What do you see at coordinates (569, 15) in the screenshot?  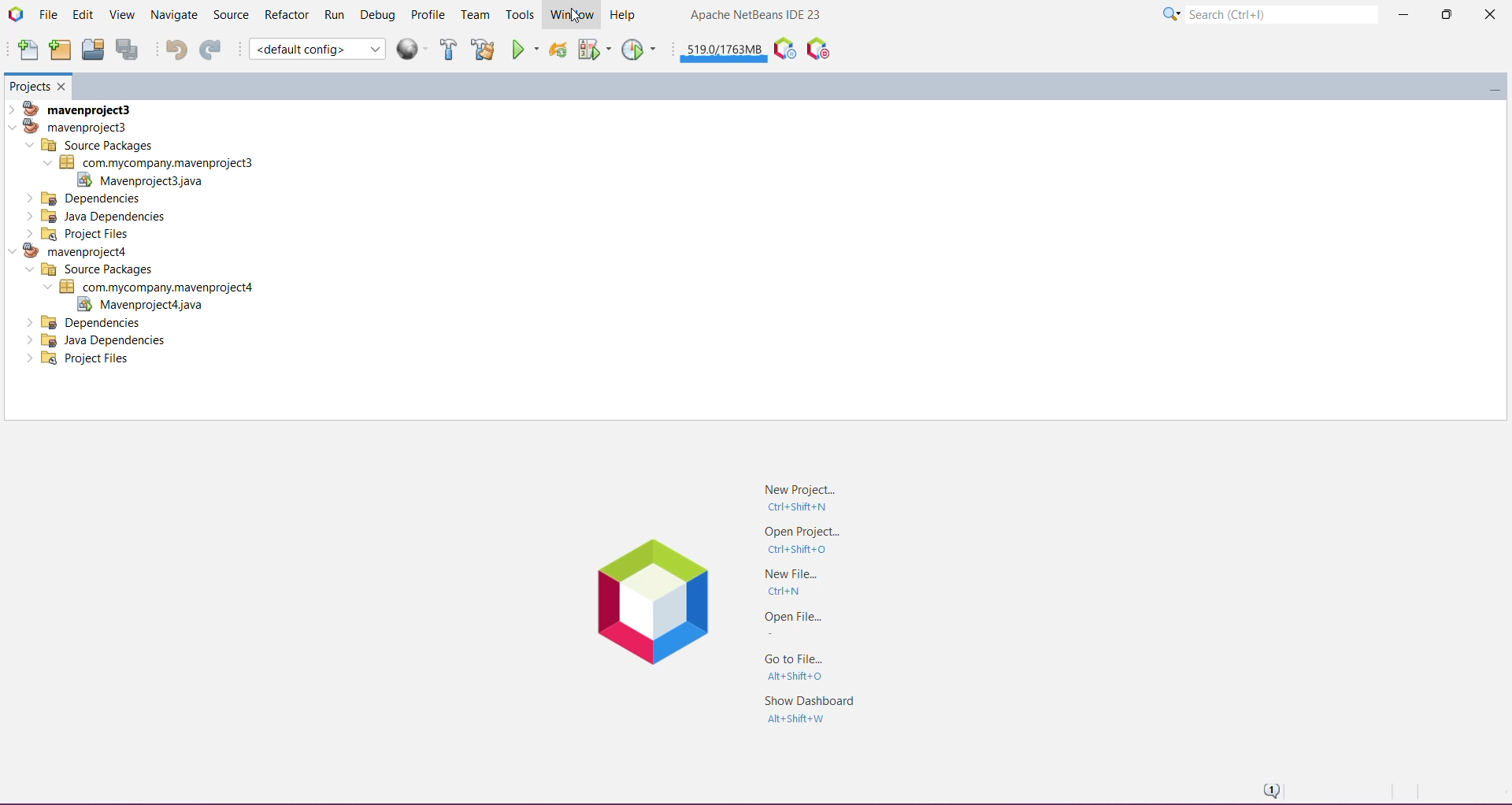 I see `Window` at bounding box center [569, 15].